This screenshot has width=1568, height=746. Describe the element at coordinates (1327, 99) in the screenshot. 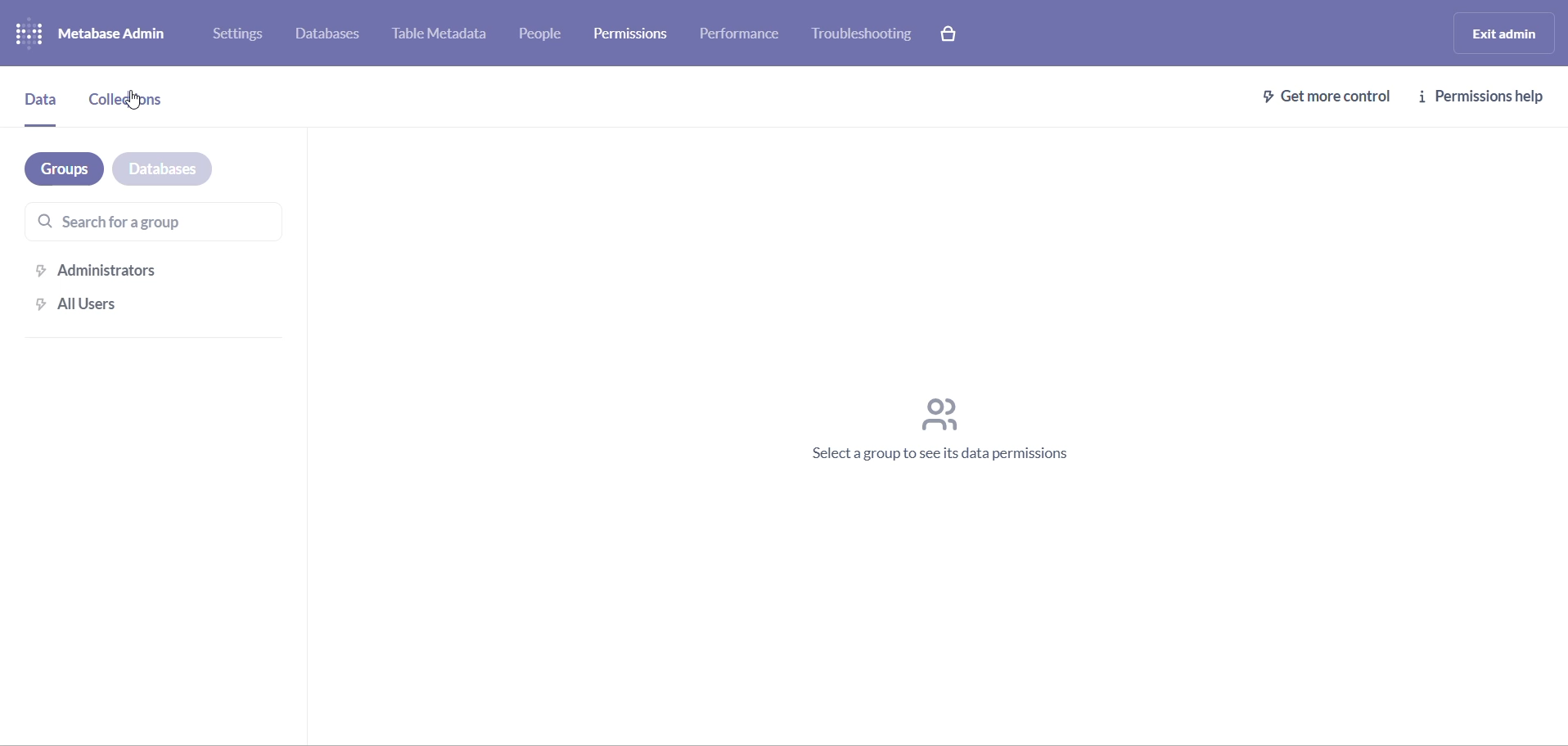

I see `get more control` at that location.